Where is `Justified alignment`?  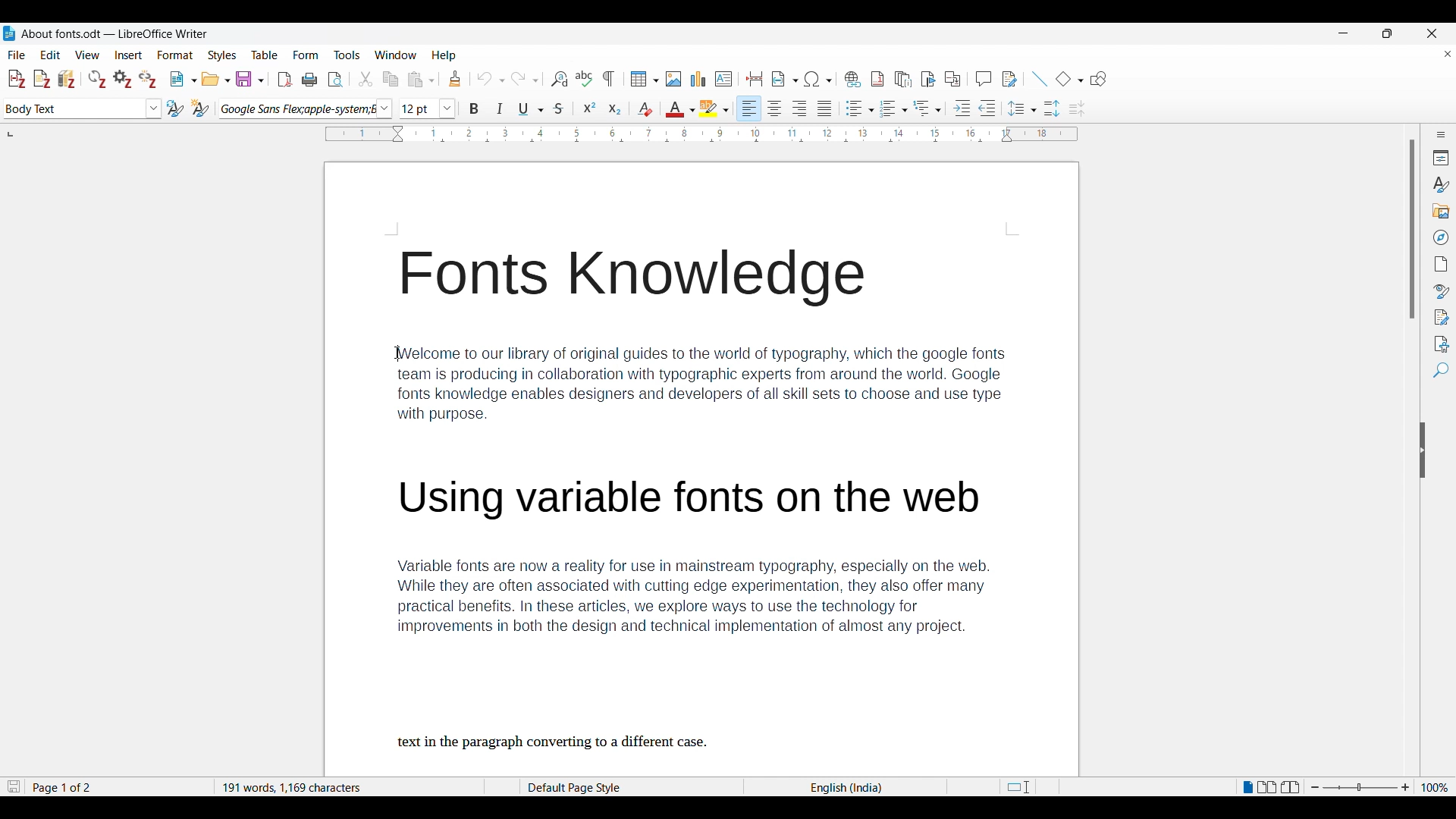 Justified alignment is located at coordinates (824, 108).